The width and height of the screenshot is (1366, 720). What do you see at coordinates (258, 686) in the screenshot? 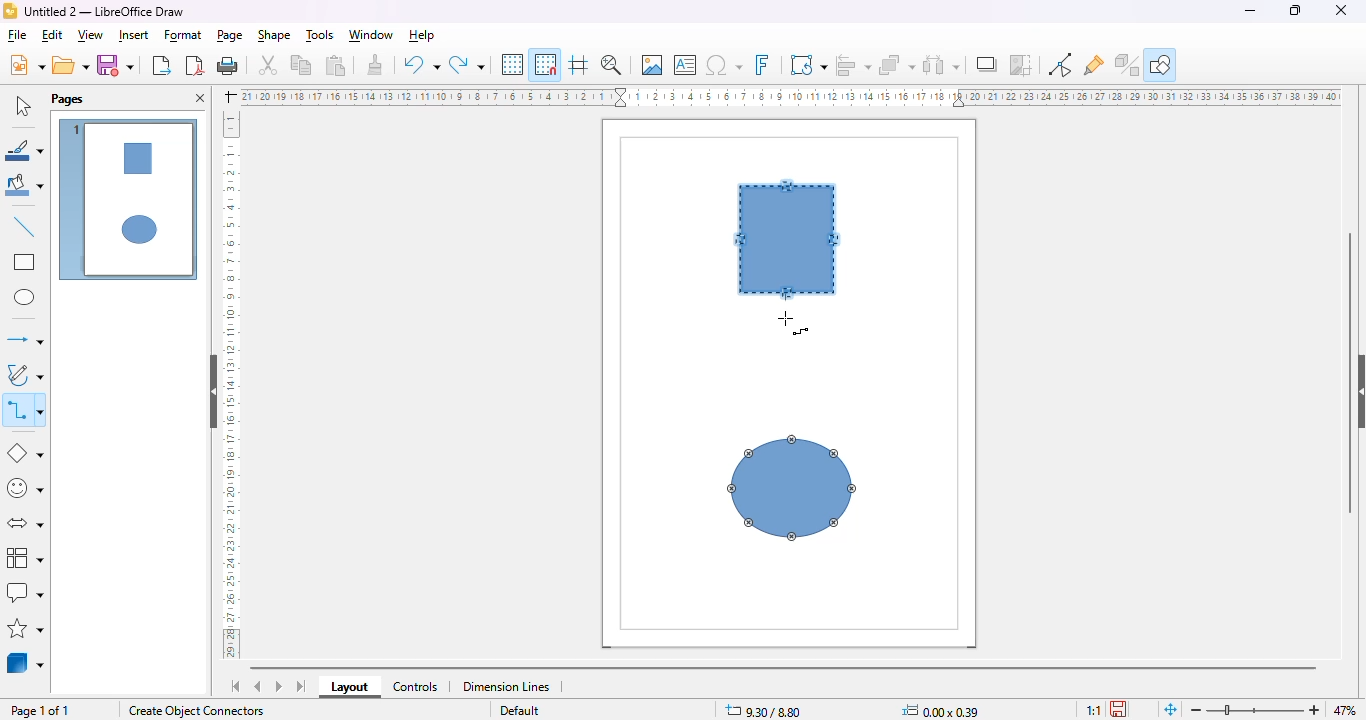
I see `scroll to previous sheet` at bounding box center [258, 686].